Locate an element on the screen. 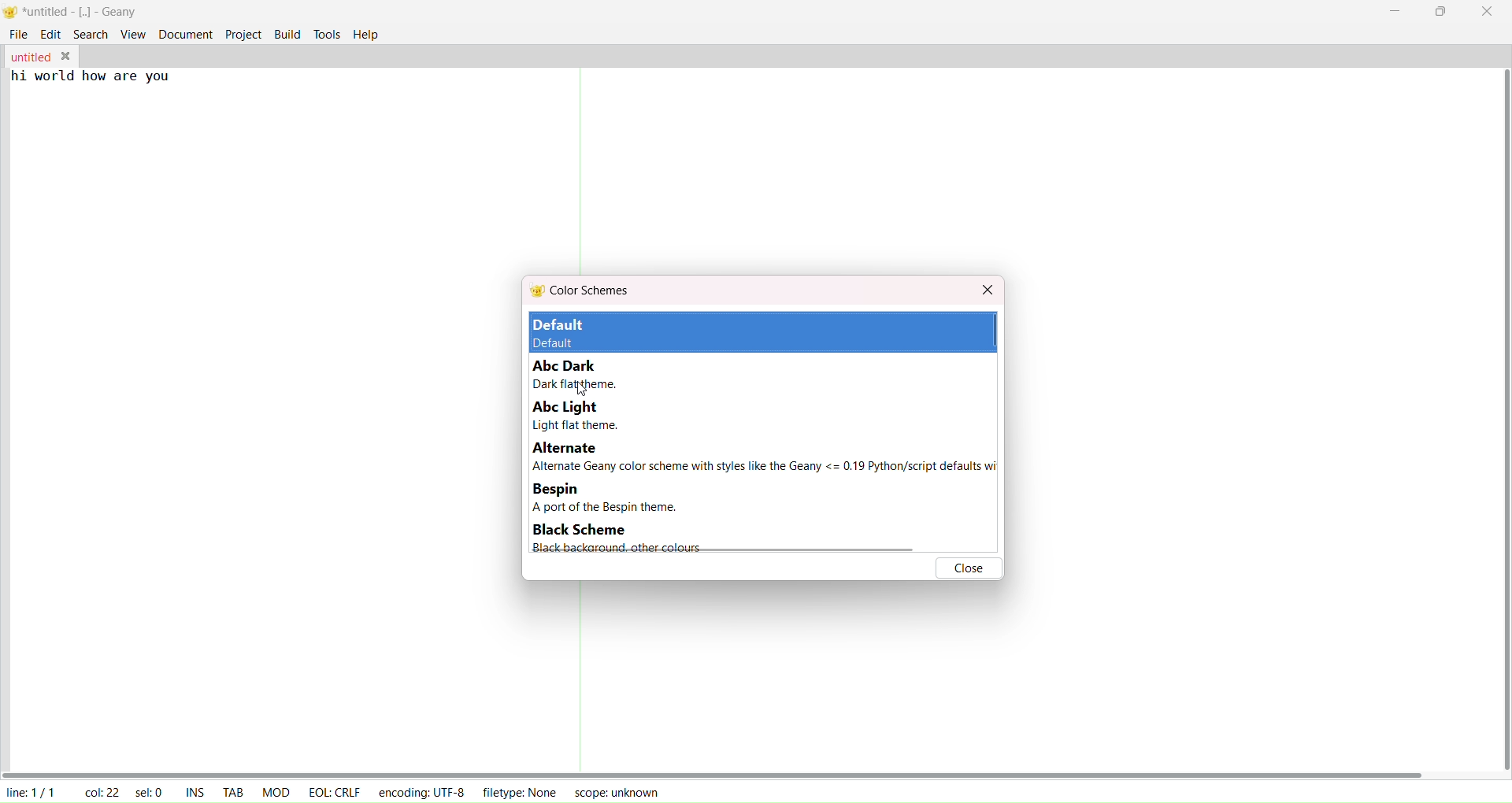 Image resolution: width=1512 pixels, height=803 pixels. selected is located at coordinates (150, 790).